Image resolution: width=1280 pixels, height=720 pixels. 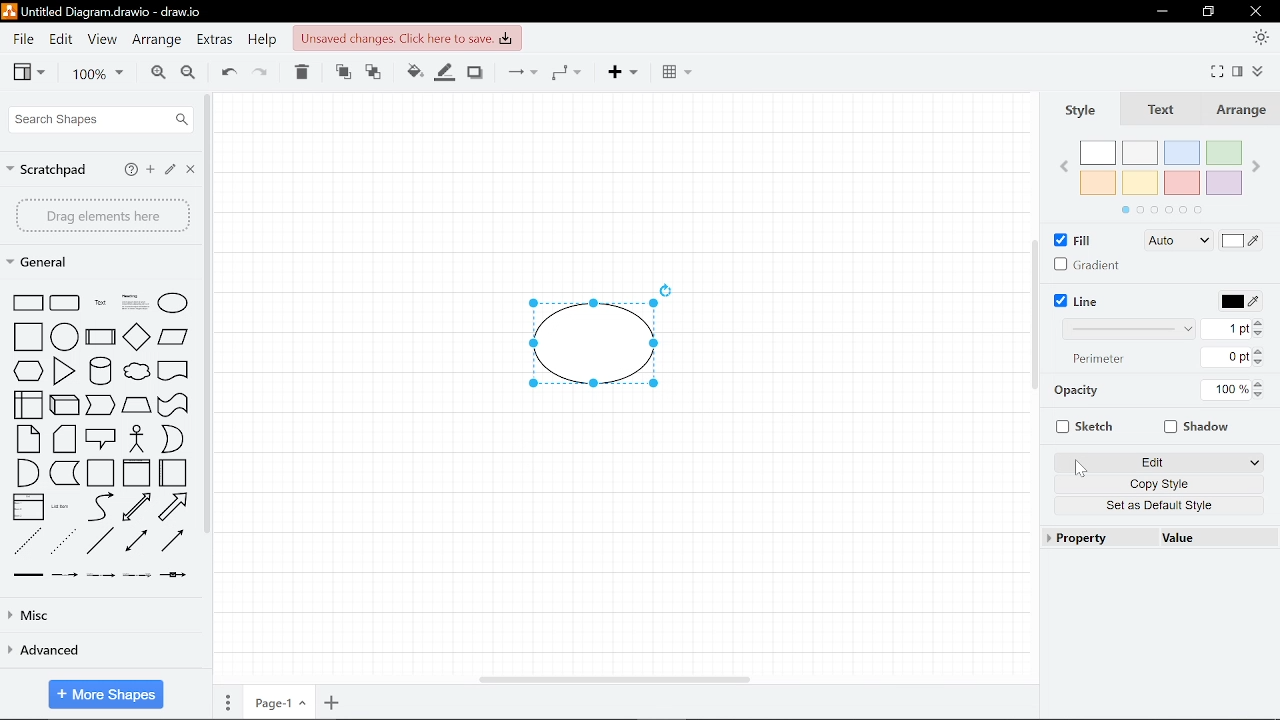 What do you see at coordinates (1192, 425) in the screenshot?
I see `Shadow` at bounding box center [1192, 425].